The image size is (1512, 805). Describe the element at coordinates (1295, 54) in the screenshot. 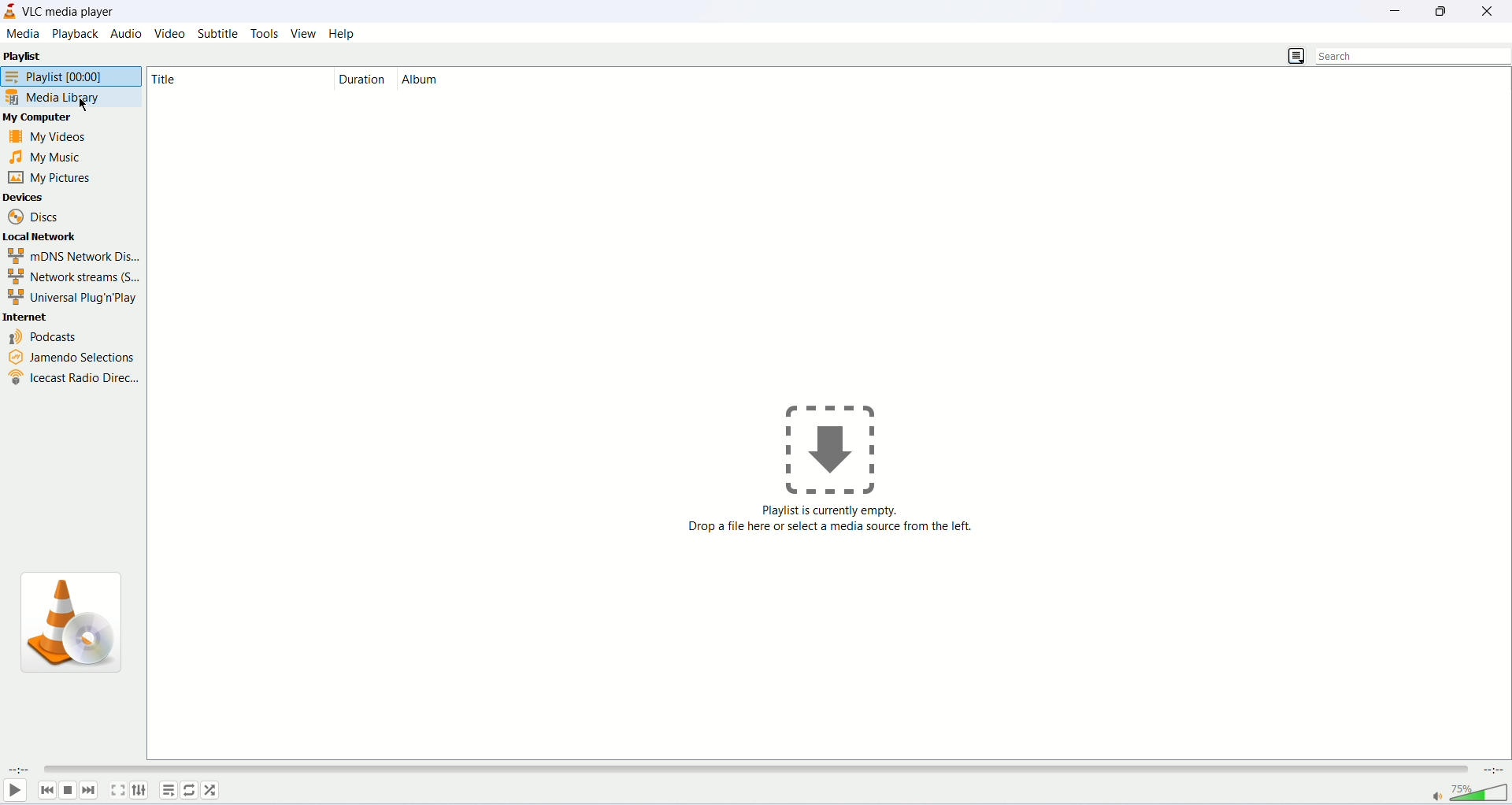

I see `playlist view` at that location.